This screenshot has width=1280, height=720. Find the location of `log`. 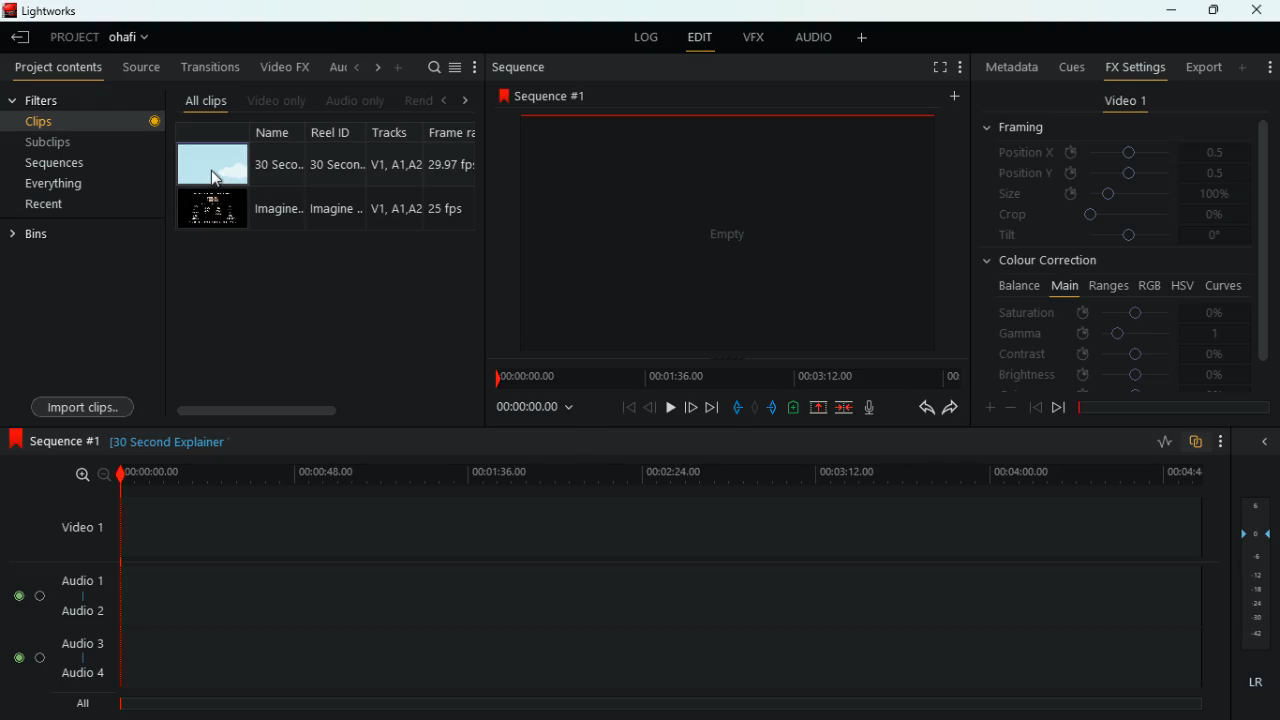

log is located at coordinates (643, 35).